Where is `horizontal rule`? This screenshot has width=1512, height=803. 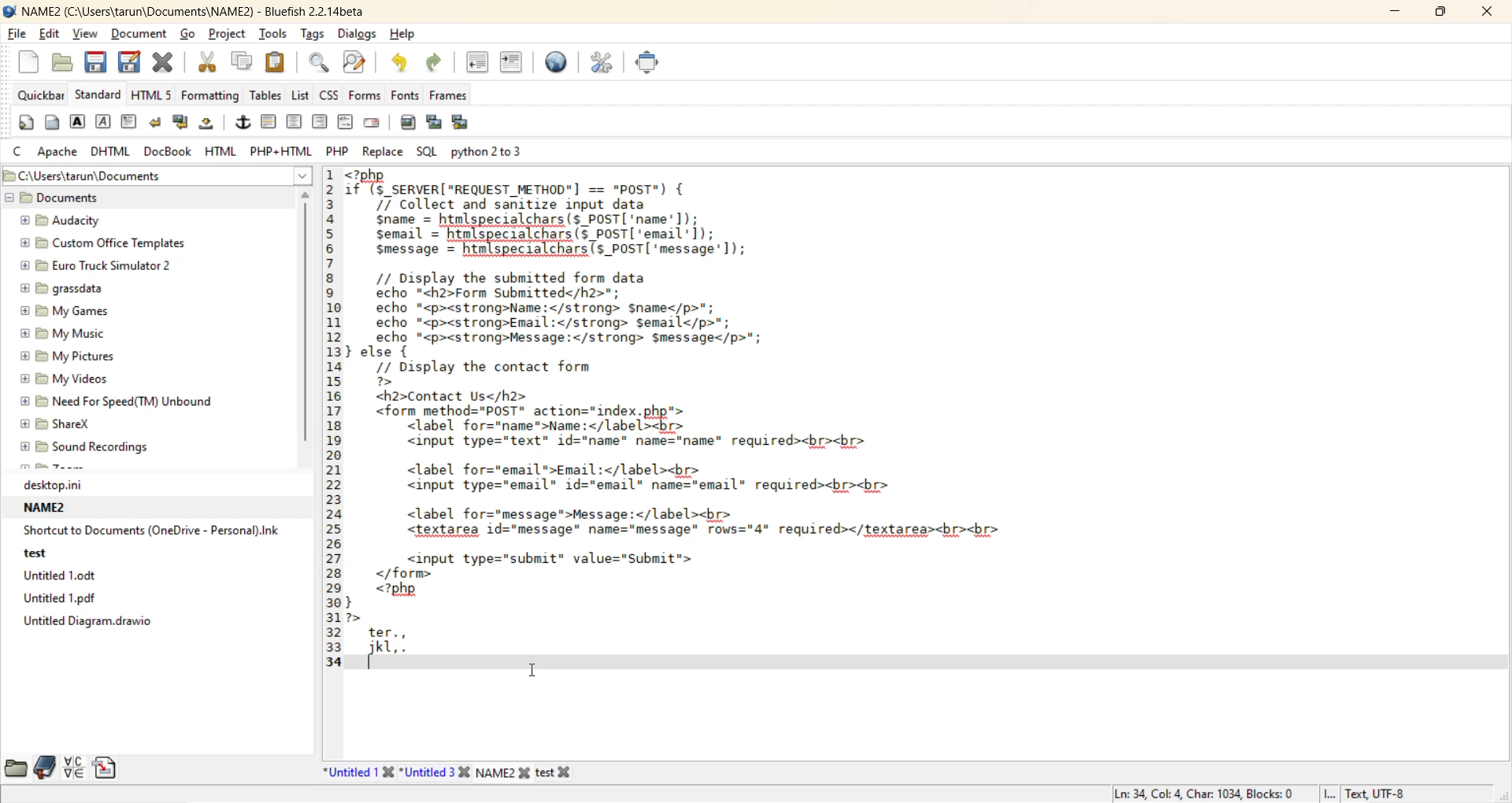 horizontal rule is located at coordinates (270, 122).